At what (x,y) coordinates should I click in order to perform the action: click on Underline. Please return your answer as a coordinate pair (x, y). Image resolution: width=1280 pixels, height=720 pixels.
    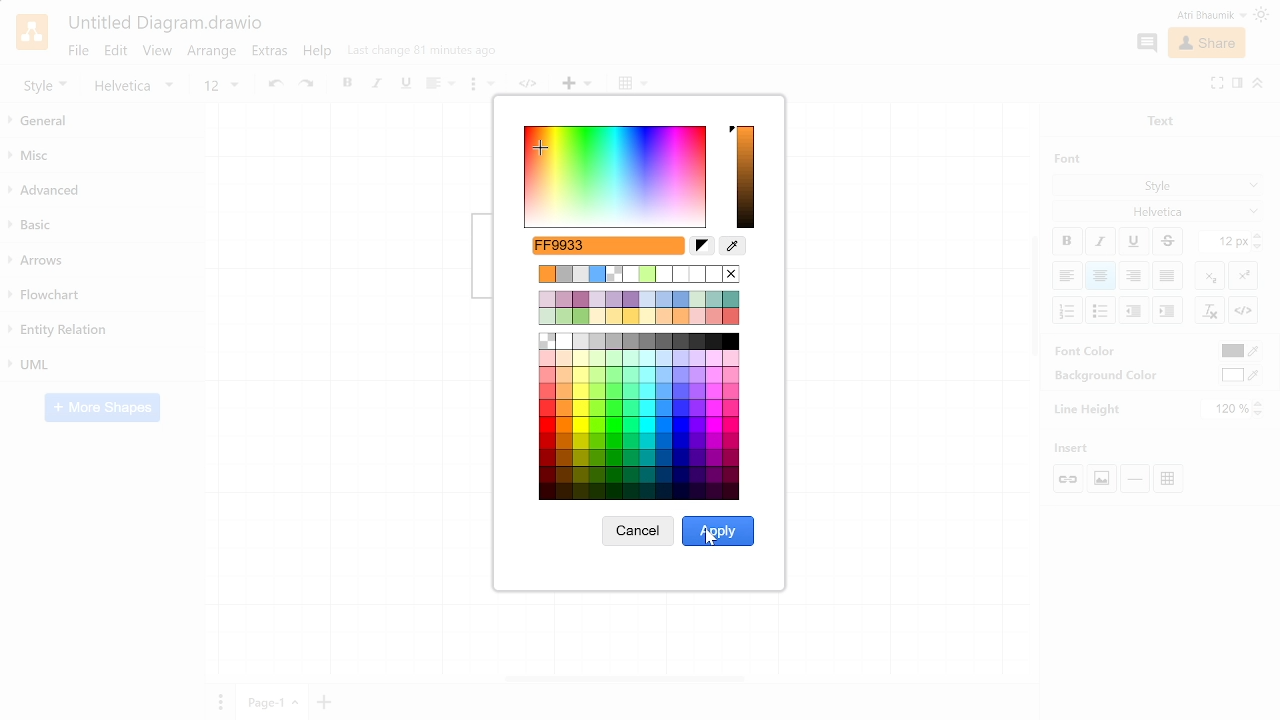
    Looking at the image, I should click on (1135, 242).